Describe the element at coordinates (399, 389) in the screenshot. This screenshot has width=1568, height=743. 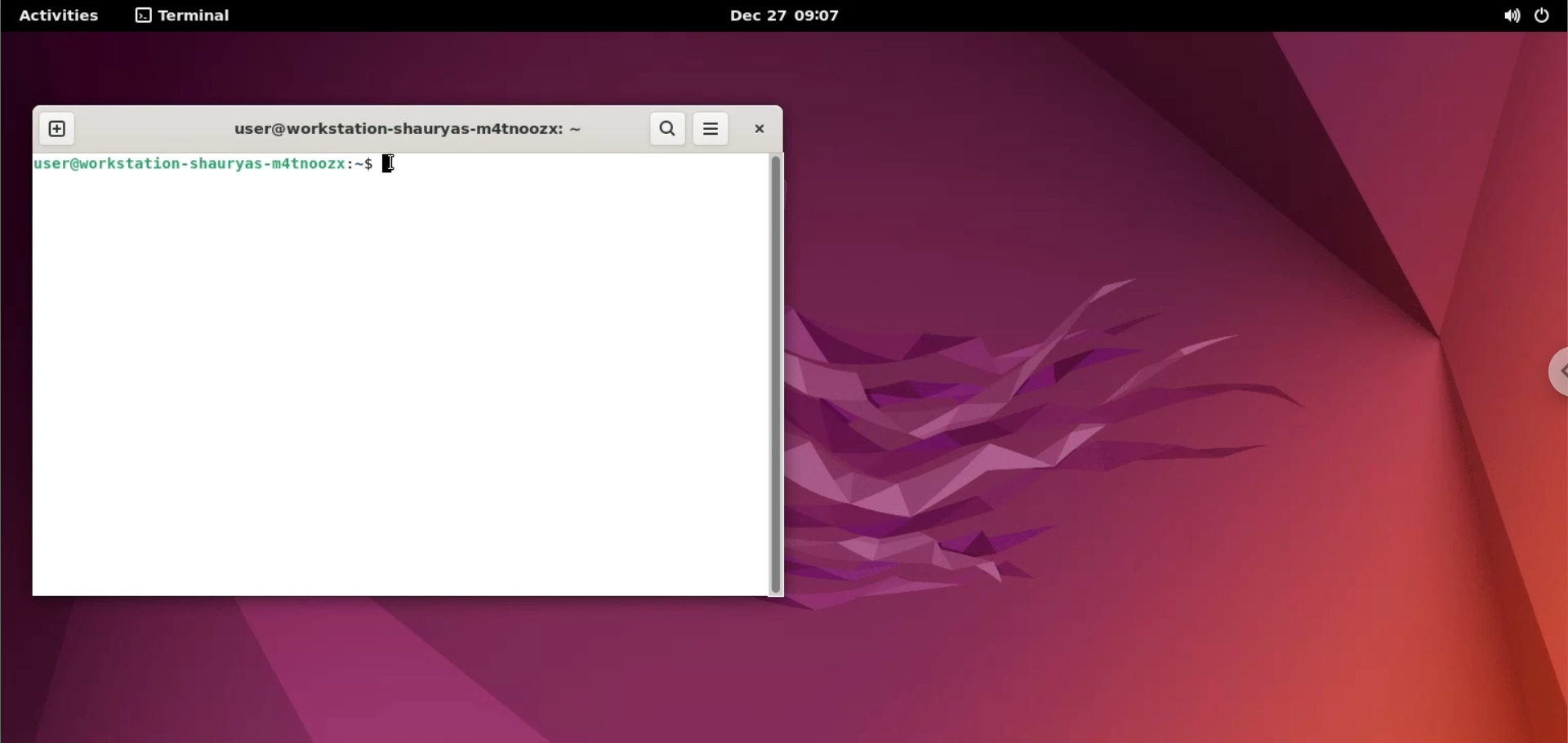
I see `command input box` at that location.